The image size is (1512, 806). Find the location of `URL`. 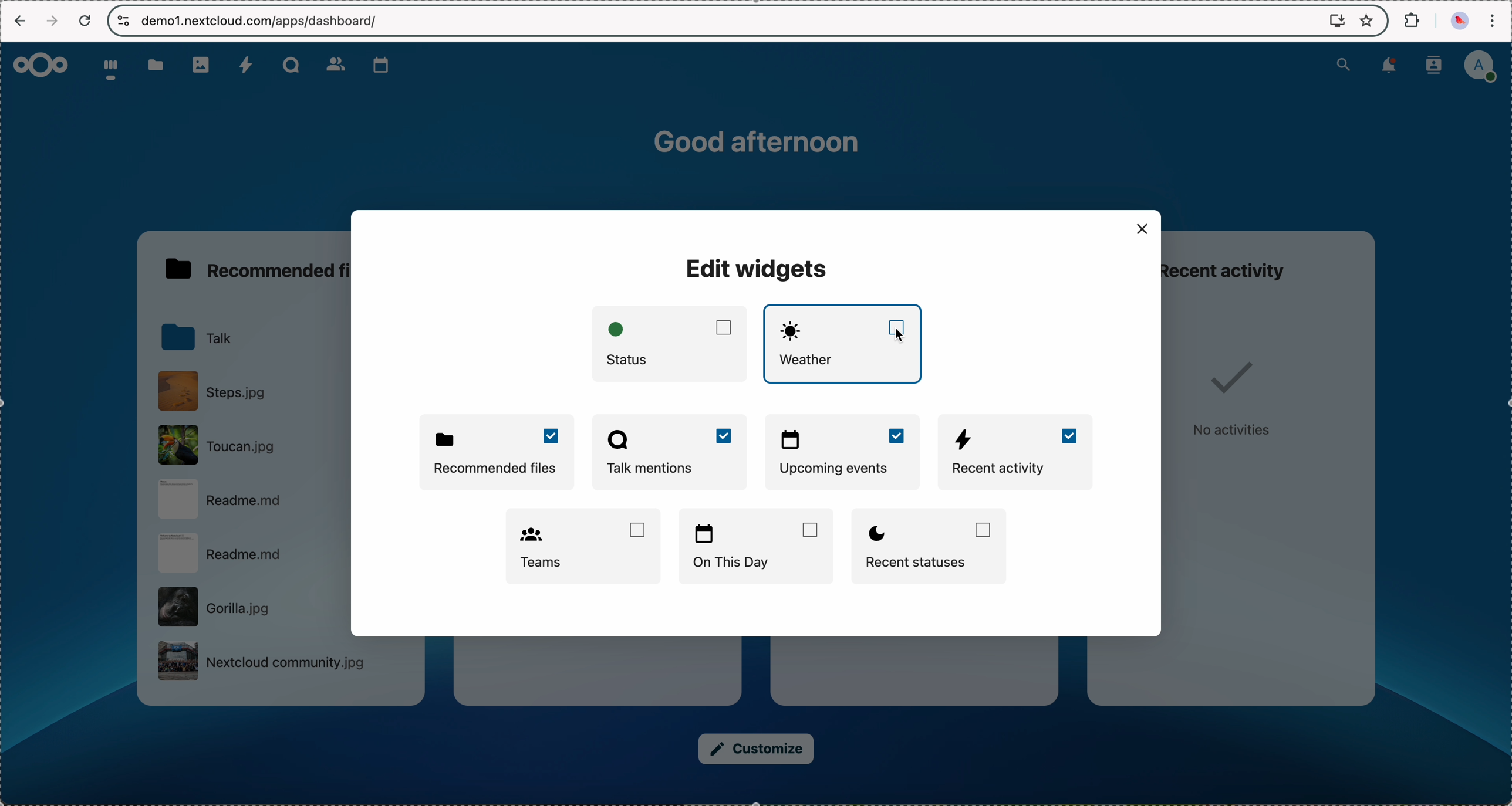

URL is located at coordinates (262, 21).